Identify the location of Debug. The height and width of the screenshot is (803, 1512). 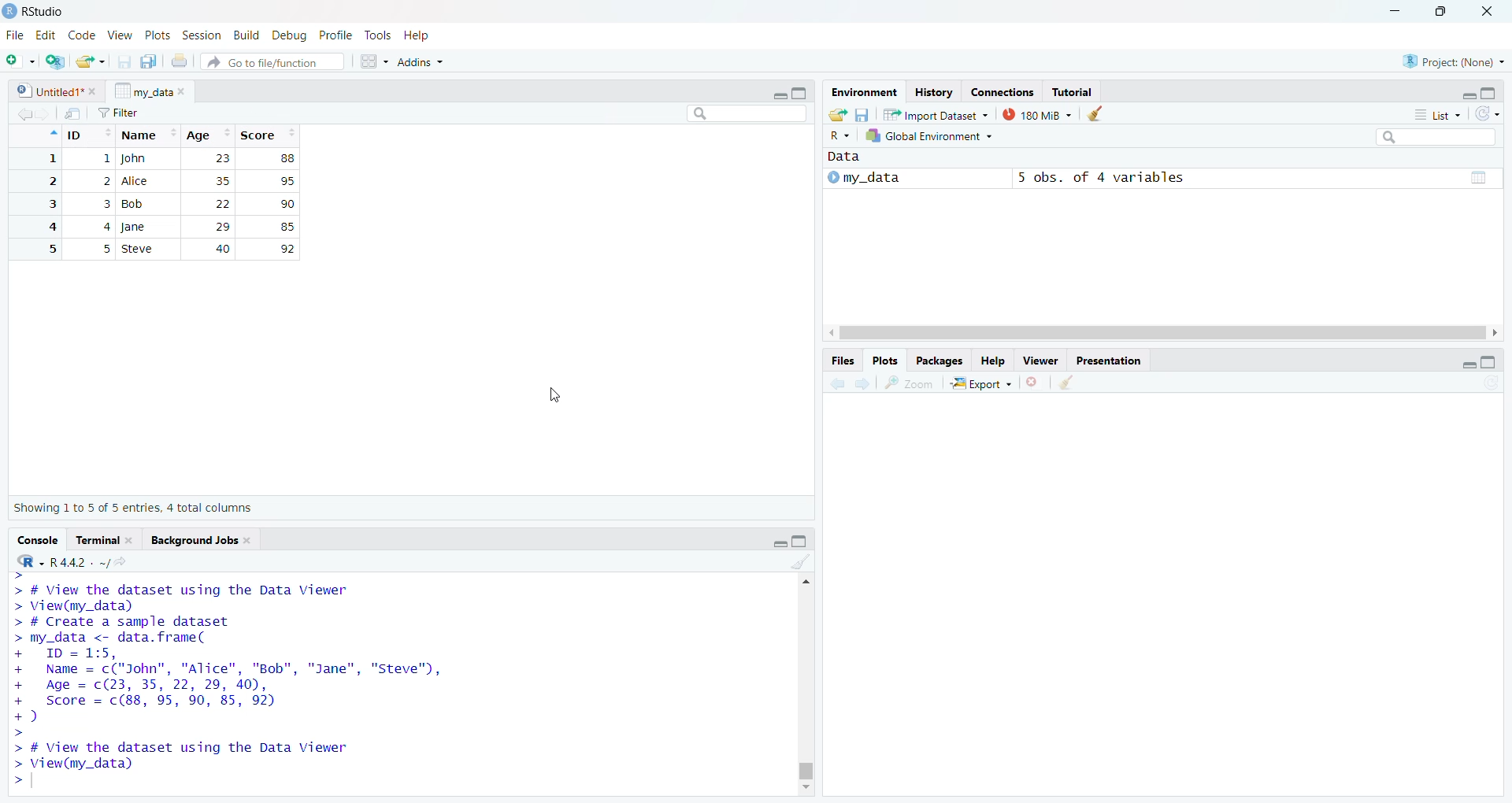
(290, 36).